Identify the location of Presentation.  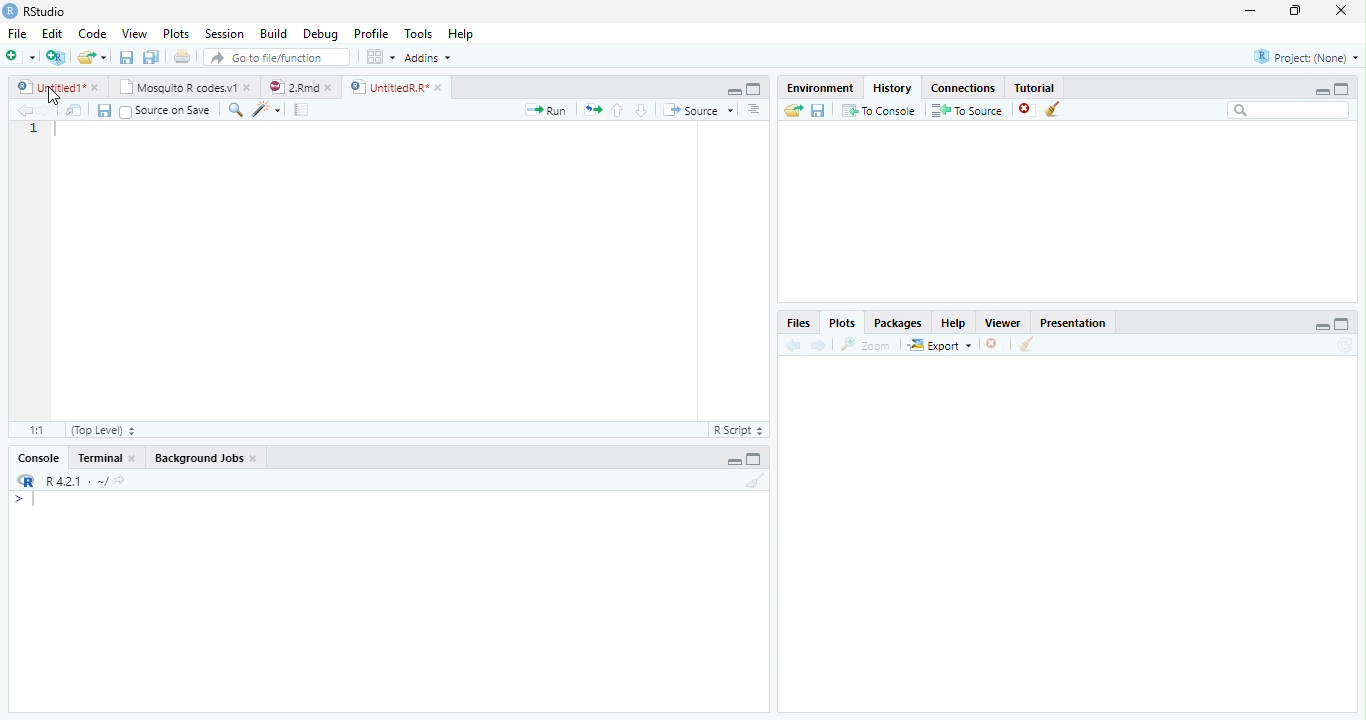
(1072, 323).